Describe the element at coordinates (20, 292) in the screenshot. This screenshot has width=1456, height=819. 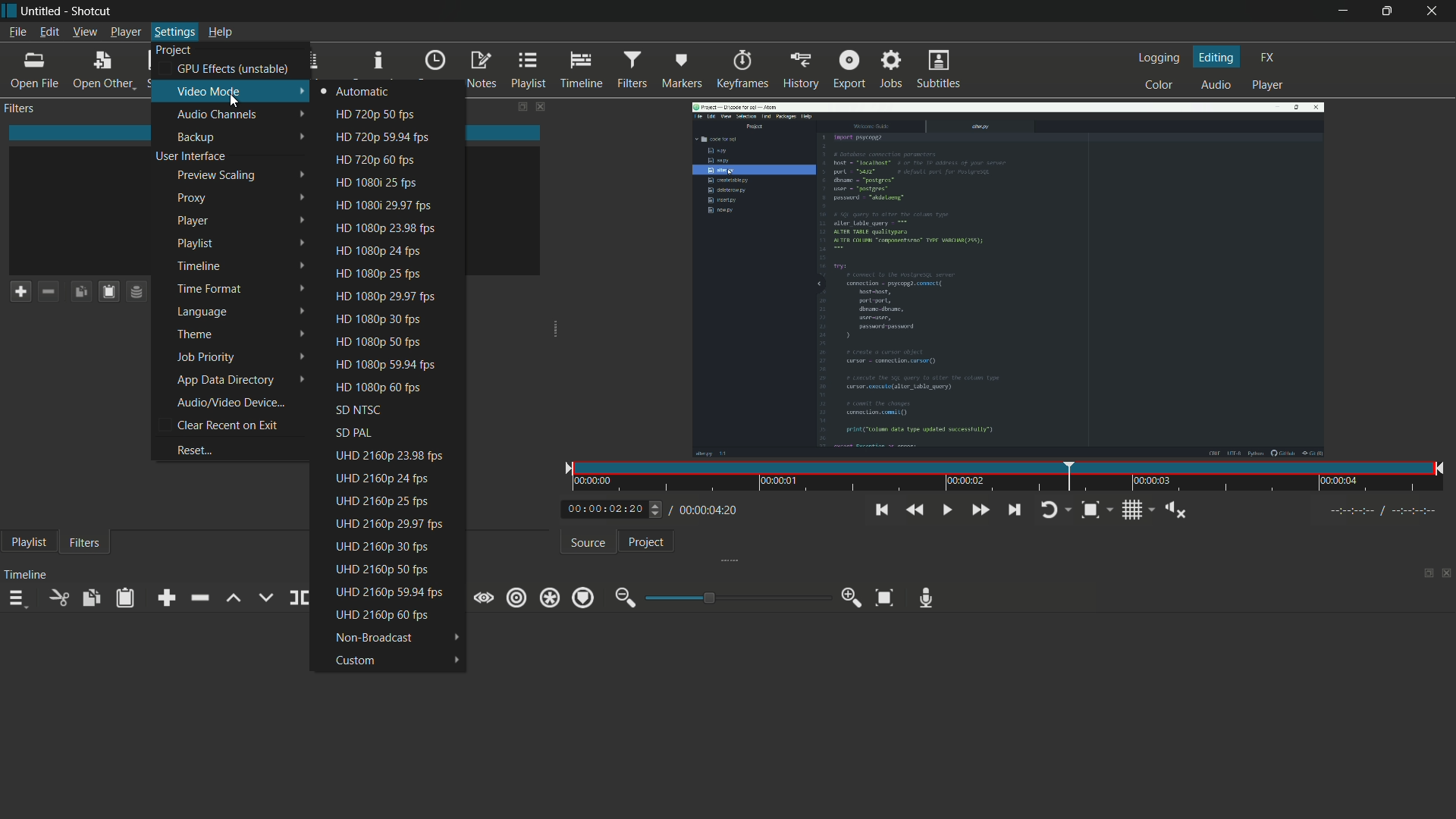
I see `add a filter` at that location.